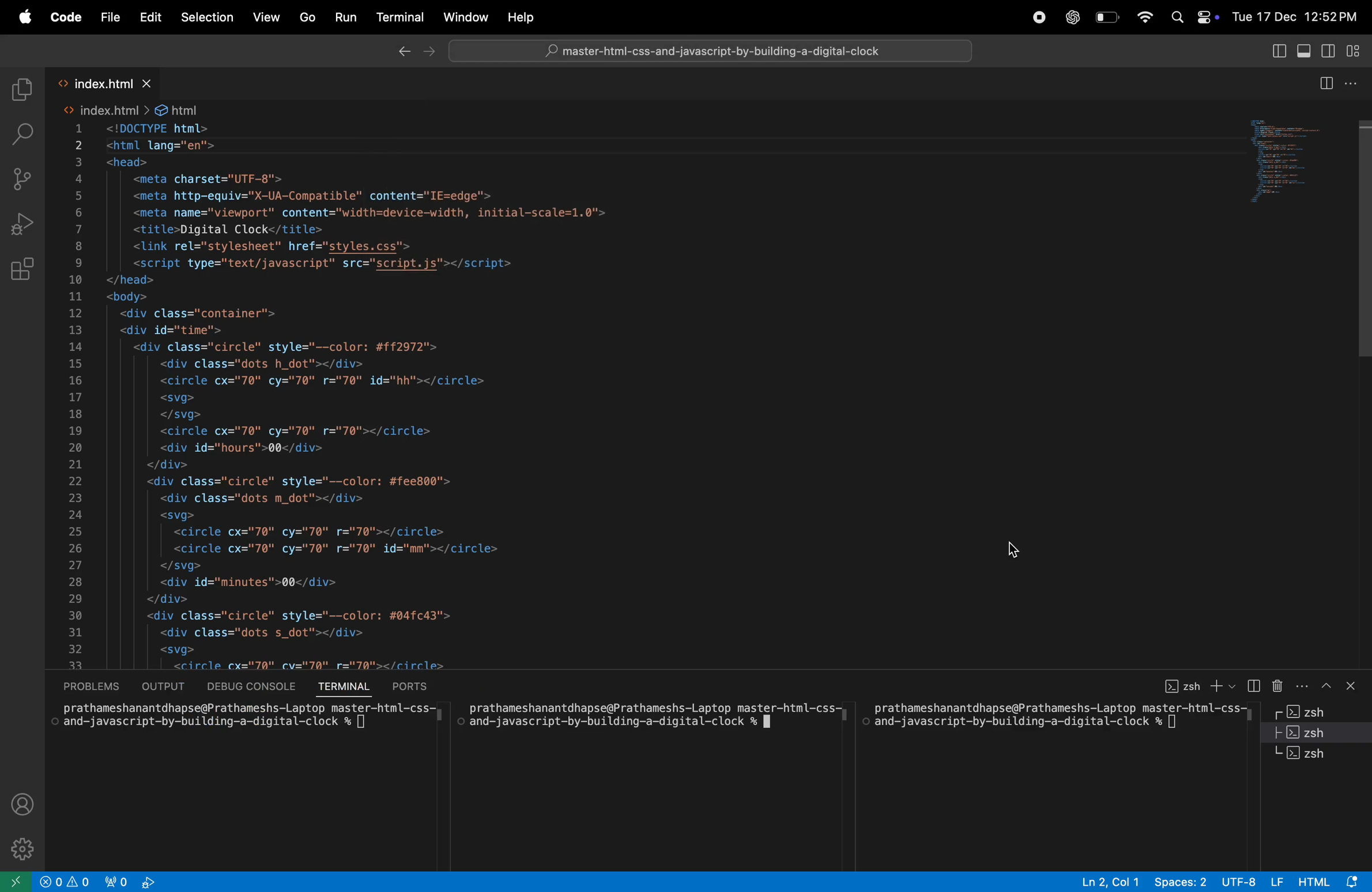 The image size is (1372, 892). Describe the element at coordinates (1327, 51) in the screenshot. I see `view` at that location.